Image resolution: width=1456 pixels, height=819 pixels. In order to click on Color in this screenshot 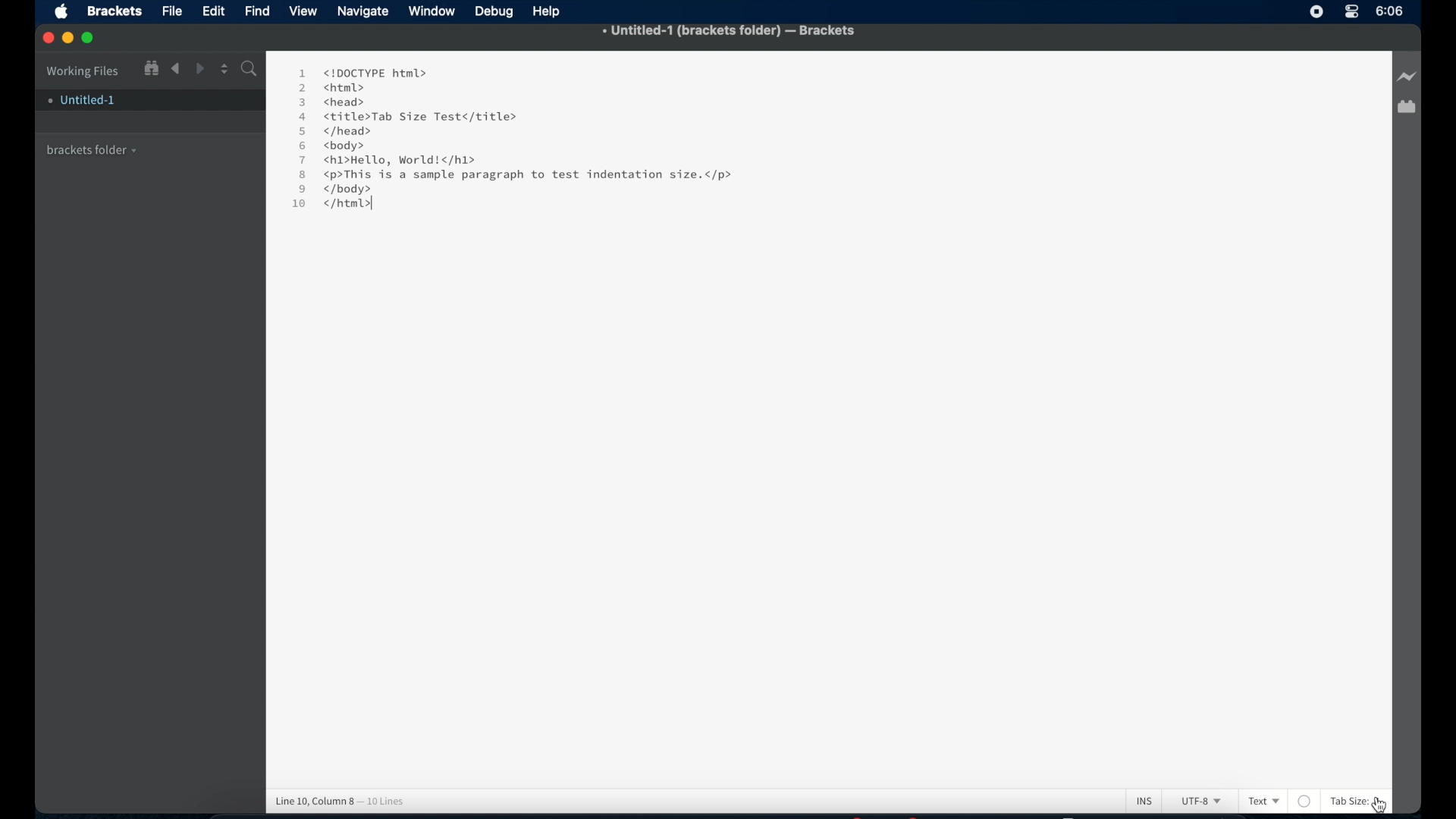, I will do `click(1305, 801)`.